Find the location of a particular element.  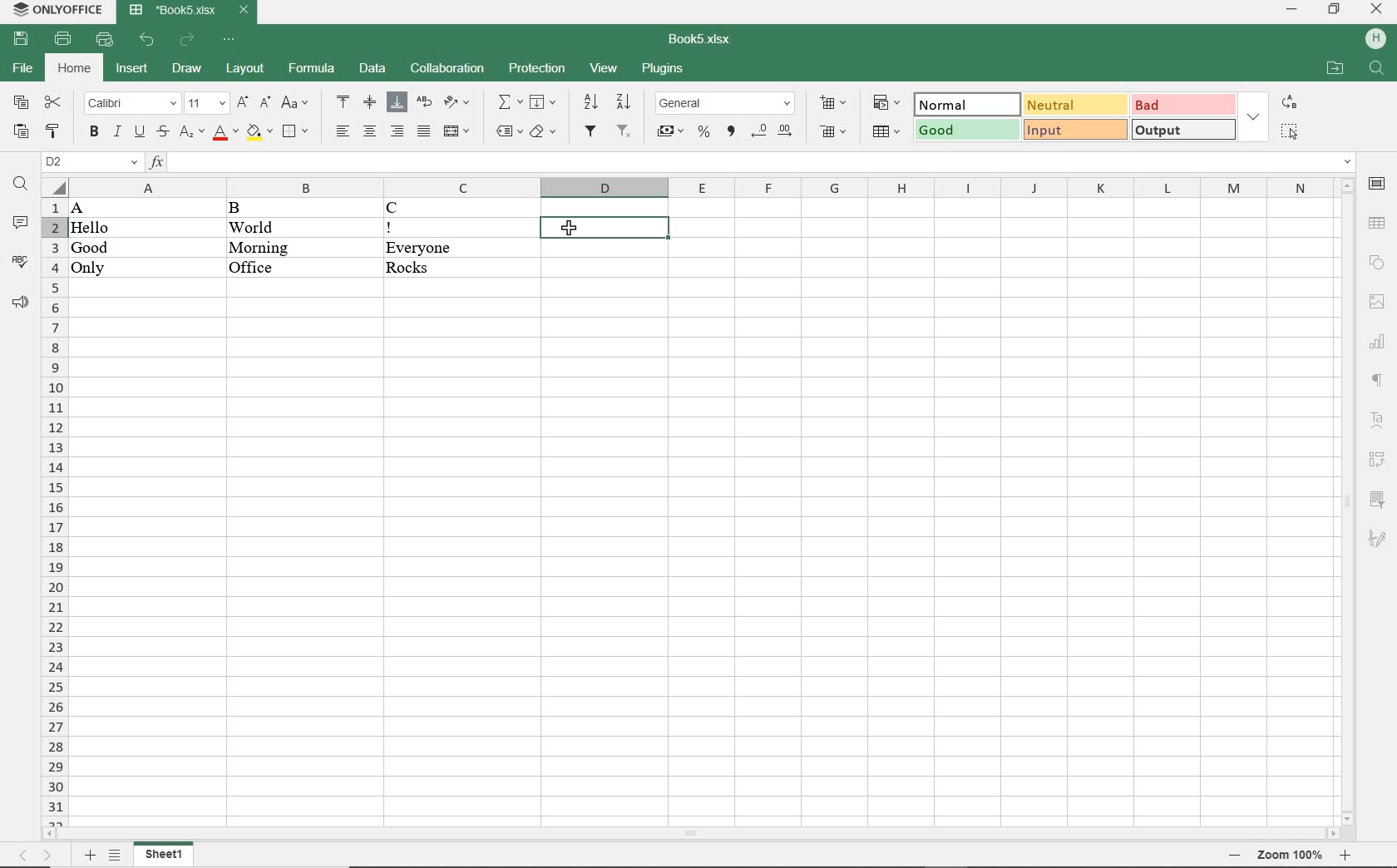

SPELL CHECKING is located at coordinates (19, 259).